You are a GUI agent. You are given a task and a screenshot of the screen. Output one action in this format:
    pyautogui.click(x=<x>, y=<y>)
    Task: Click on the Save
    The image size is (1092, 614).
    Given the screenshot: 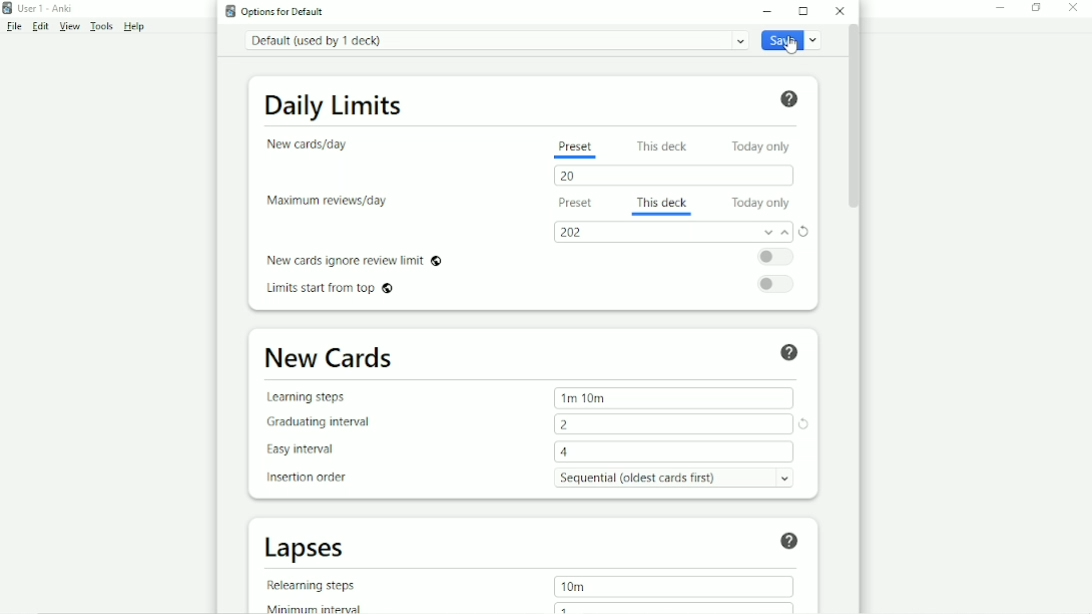 What is the action you would take?
    pyautogui.click(x=794, y=41)
    